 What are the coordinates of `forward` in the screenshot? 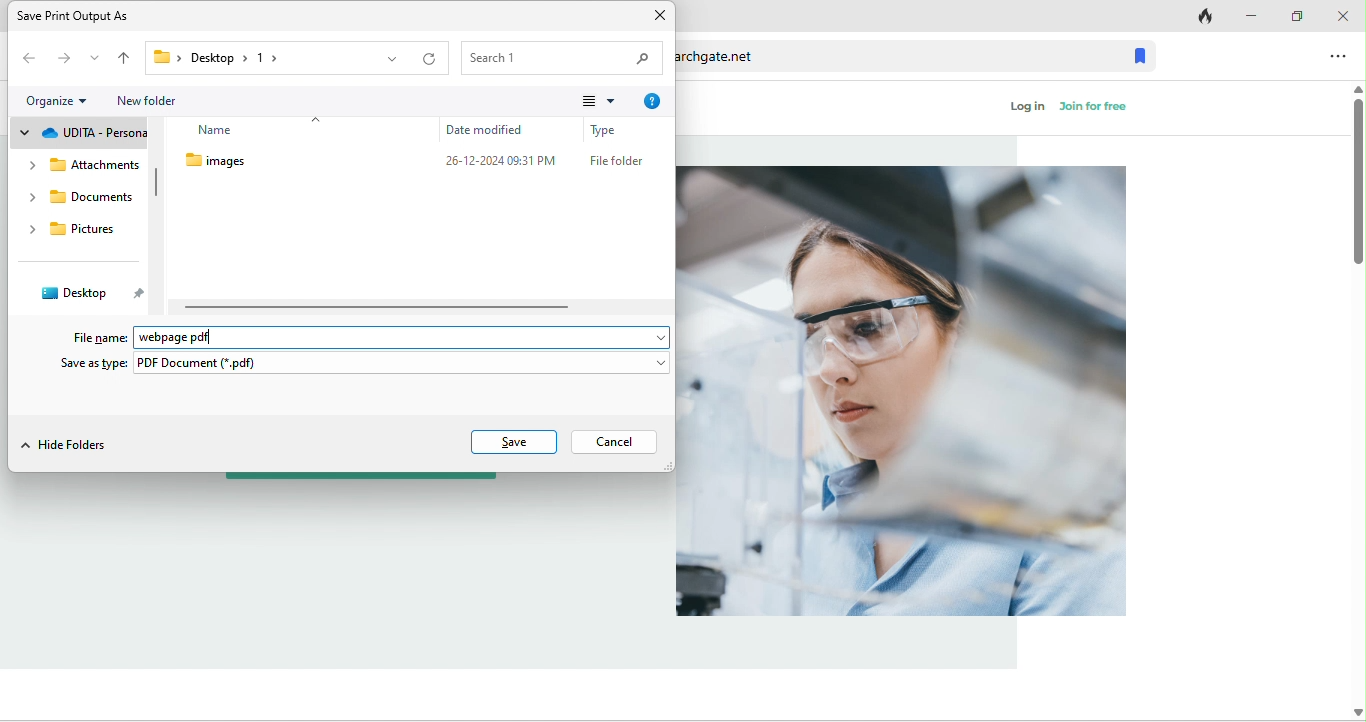 It's located at (60, 59).